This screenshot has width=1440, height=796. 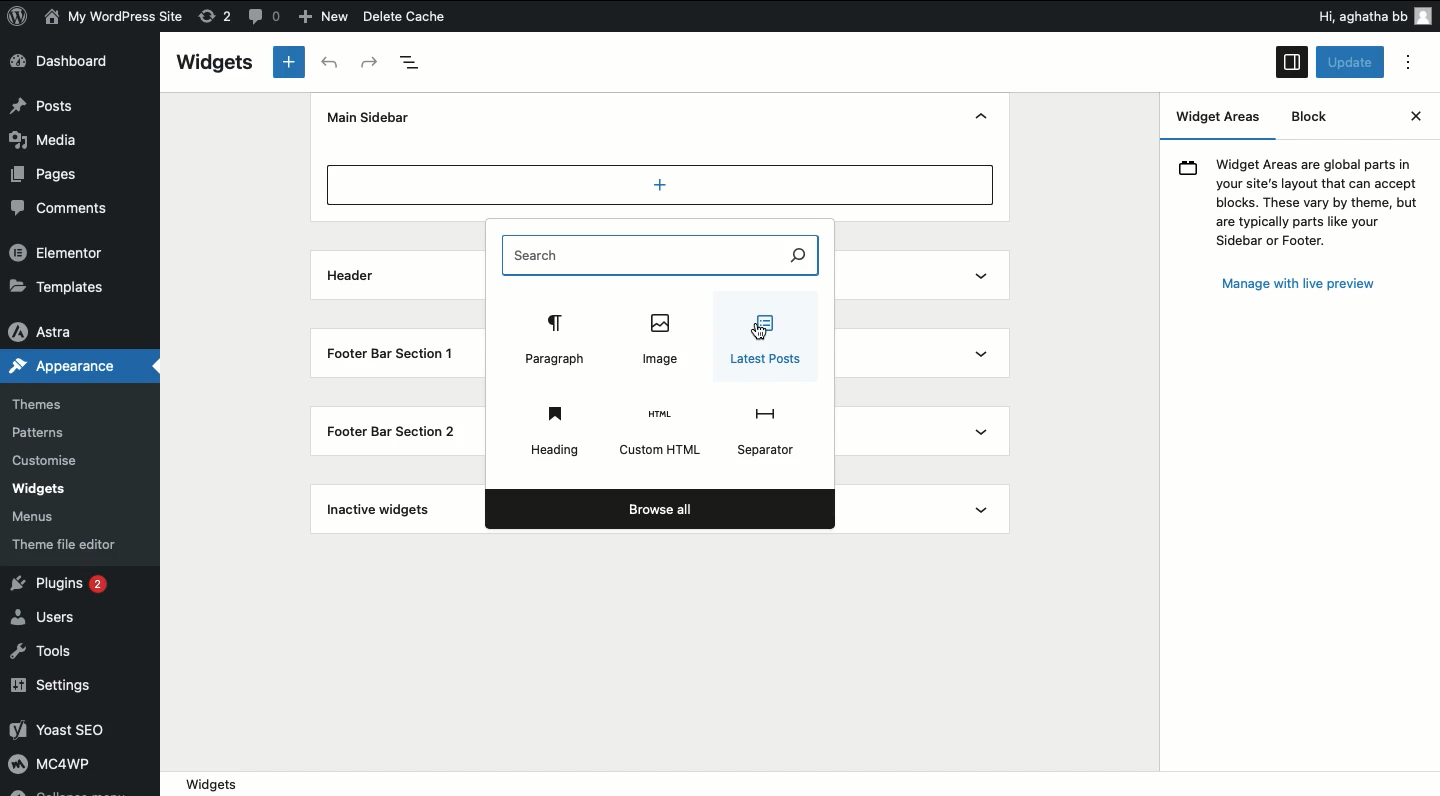 I want to click on »Templates, so click(x=60, y=283).